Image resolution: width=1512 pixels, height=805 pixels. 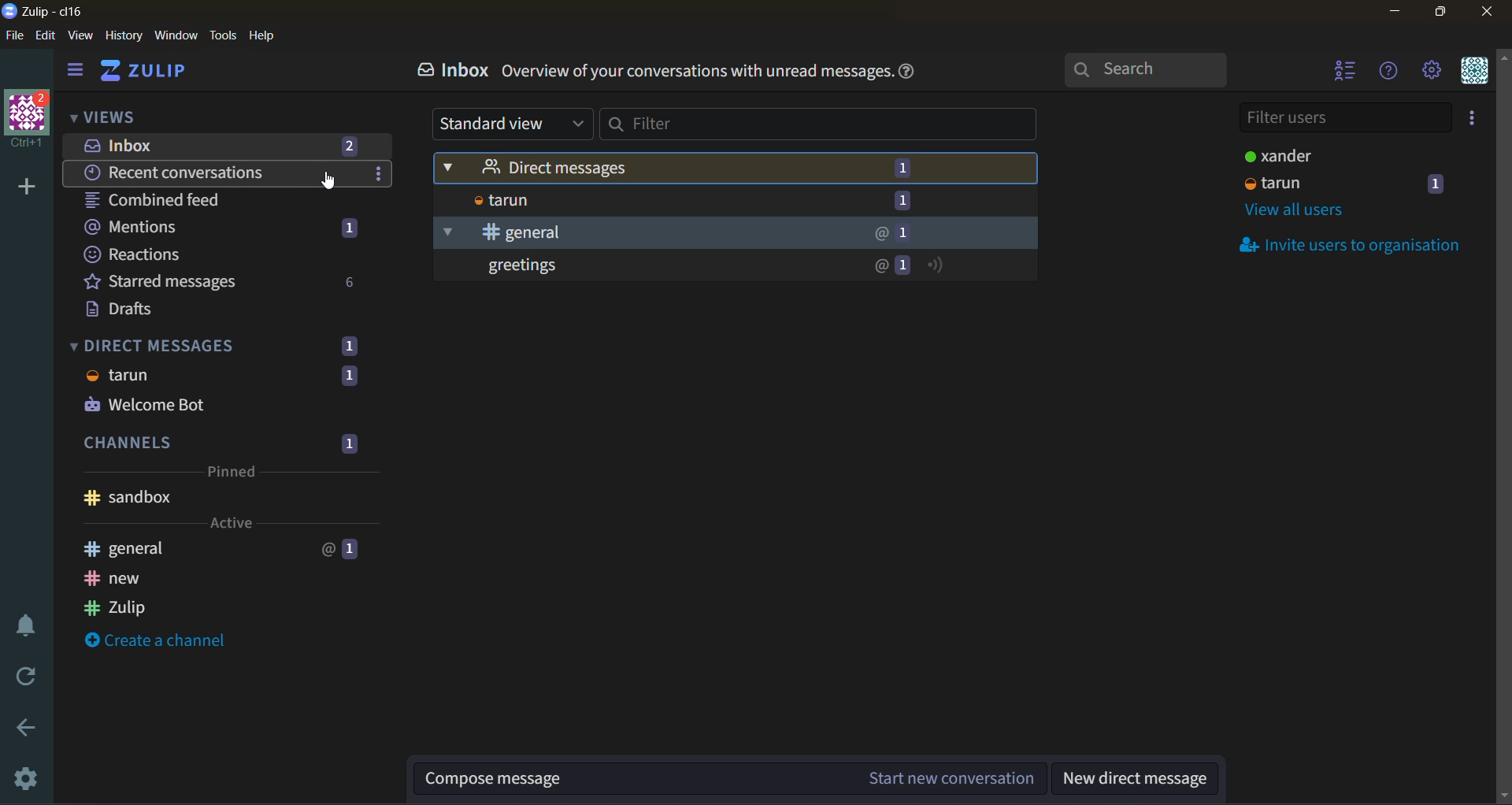 What do you see at coordinates (234, 472) in the screenshot?
I see `pinned` at bounding box center [234, 472].